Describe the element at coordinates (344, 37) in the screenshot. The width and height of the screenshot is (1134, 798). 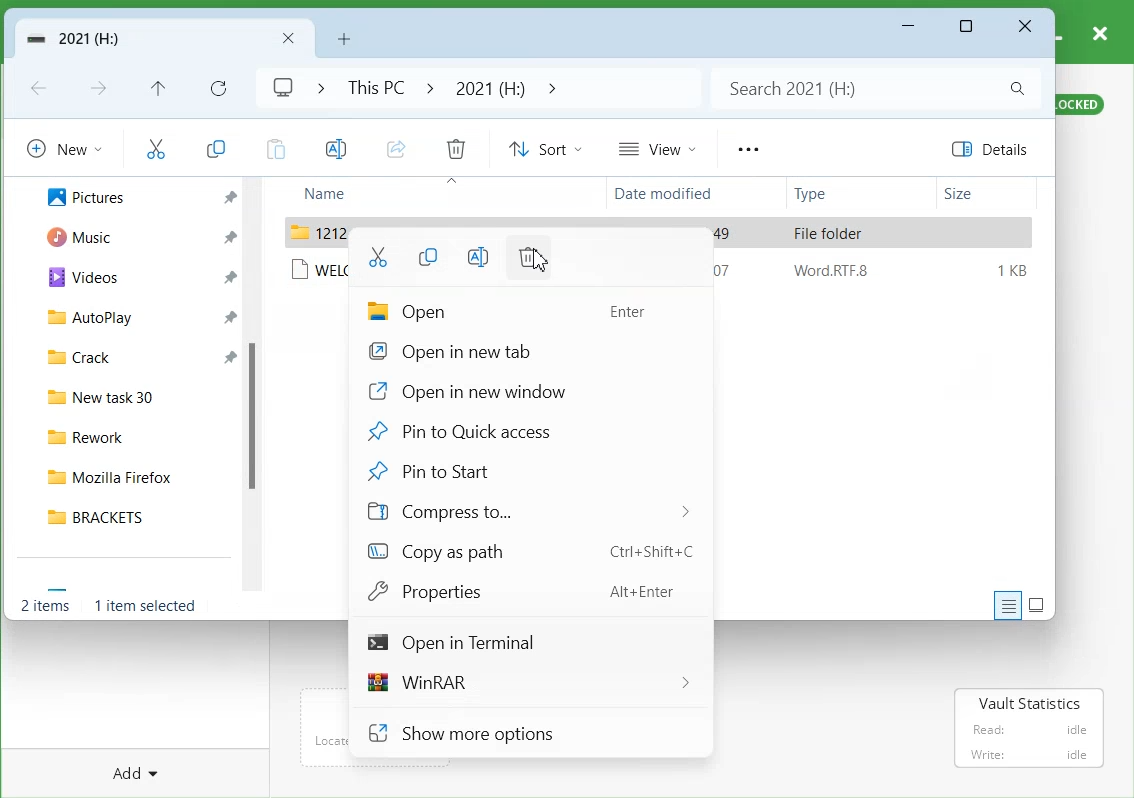
I see `Add New folder` at that location.